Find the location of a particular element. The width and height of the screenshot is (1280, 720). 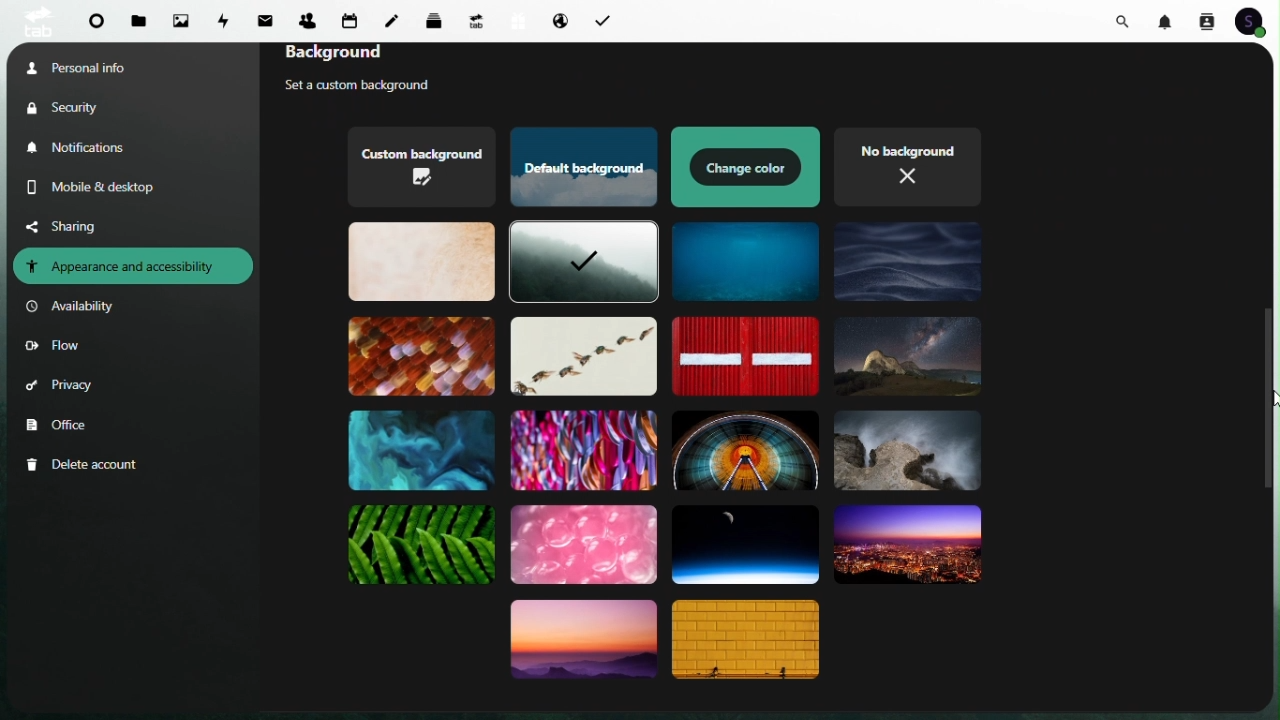

Notifications is located at coordinates (1168, 20).